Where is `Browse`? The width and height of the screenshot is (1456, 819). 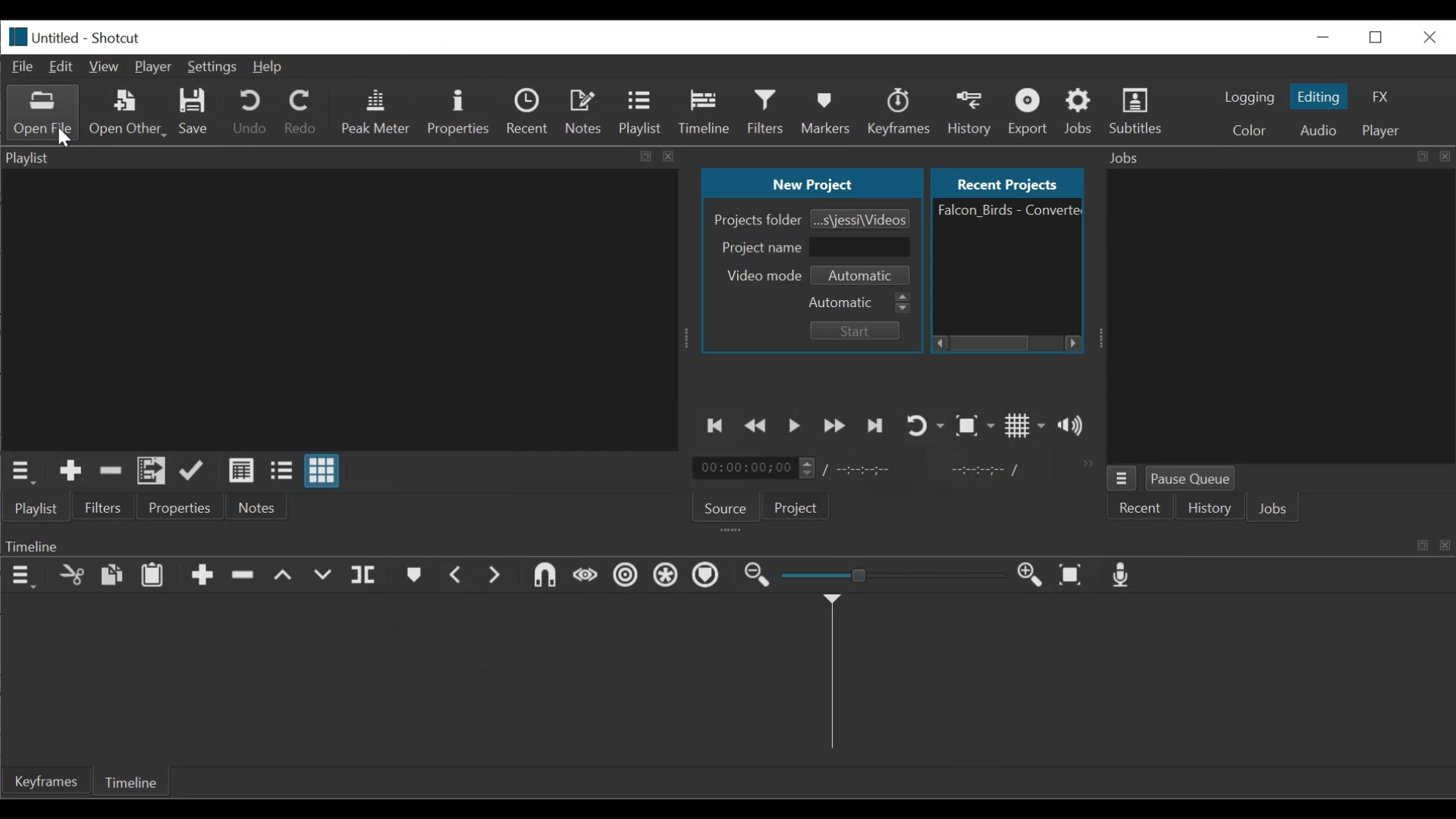 Browse is located at coordinates (865, 219).